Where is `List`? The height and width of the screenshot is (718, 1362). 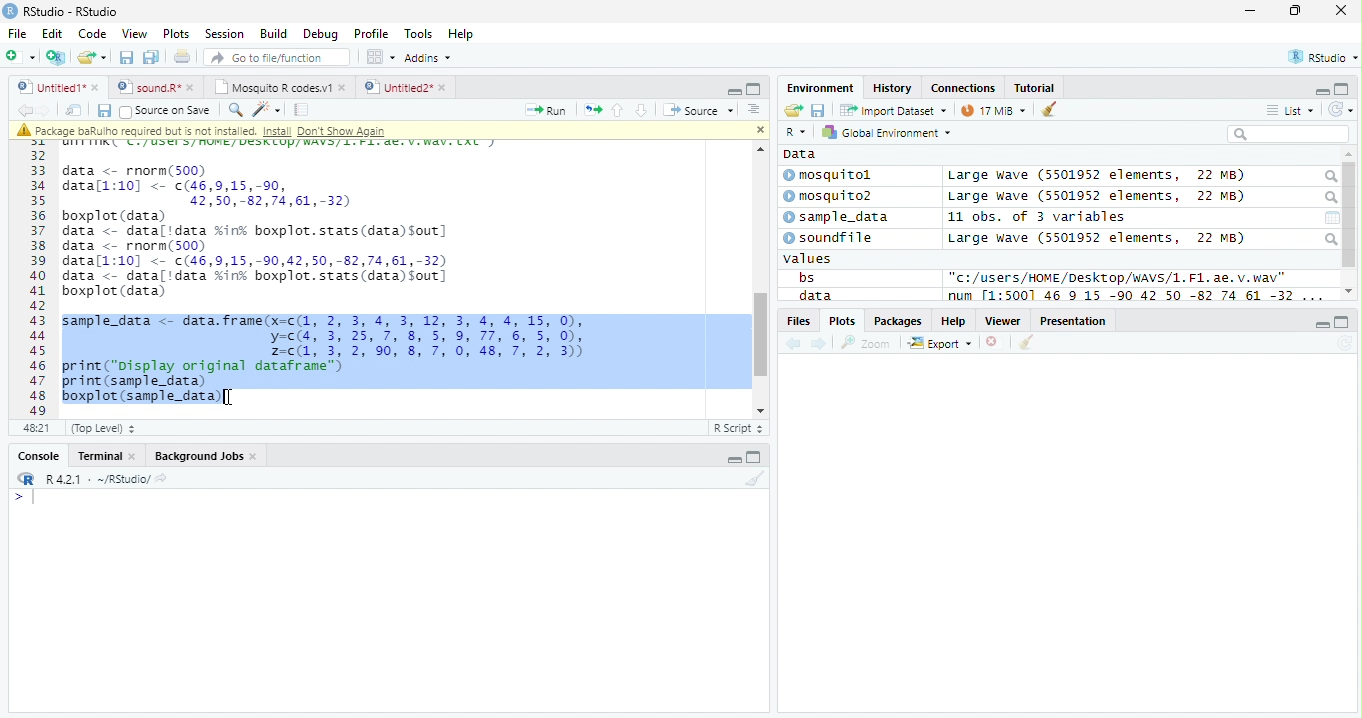
List is located at coordinates (1290, 110).